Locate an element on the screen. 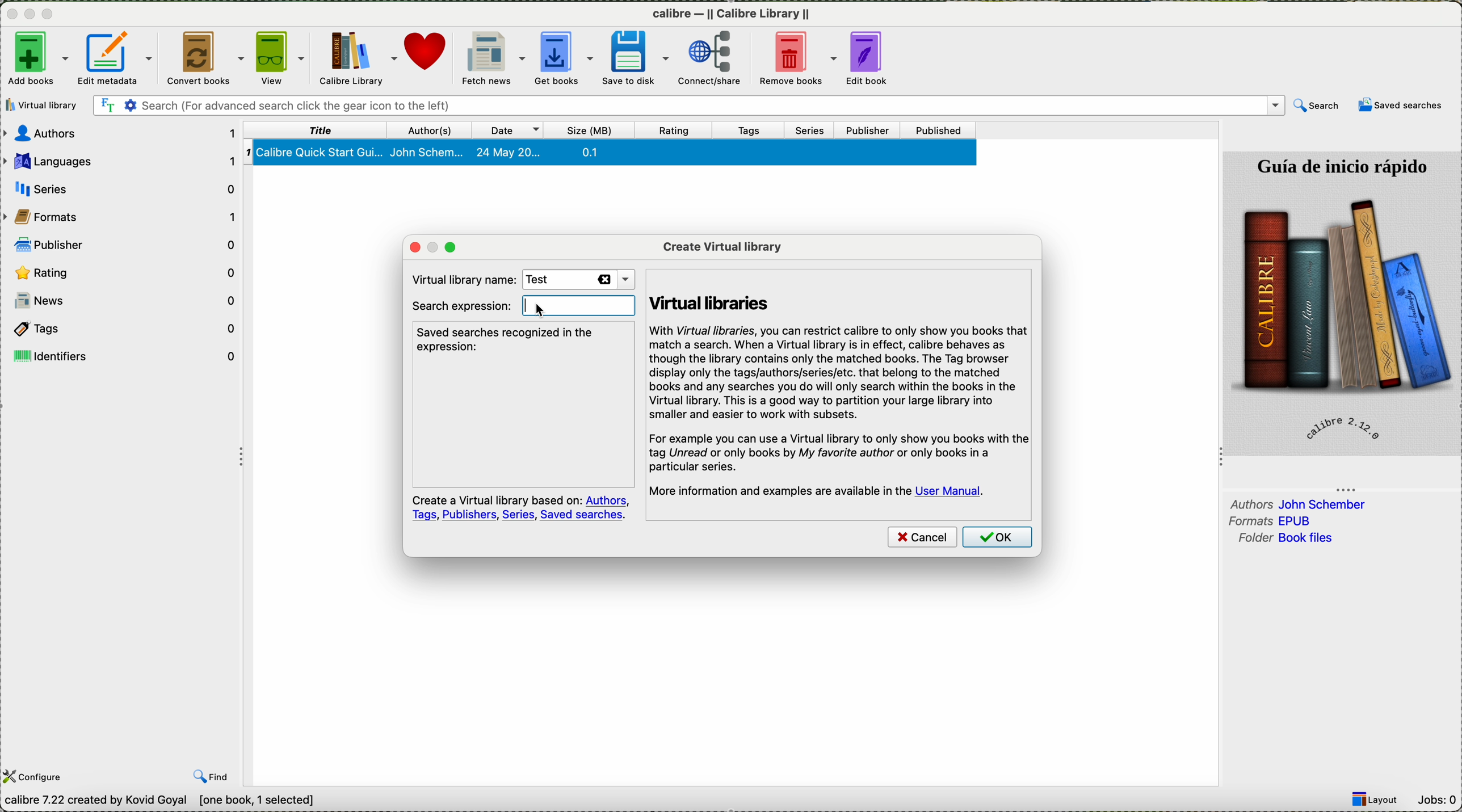 The height and width of the screenshot is (812, 1462). virtual libraries with virtual libraries you can resist Callibre to only show you books that match a search .when a virtual library is in effect ,Callibre behave as  though the library contains only the match books. t tag browser display only tha lags that belong to the match book that you have searched in books in virtual library.this is good way to partition your bigg library into small parts and works in subset.more information and examples are available in user manual. is located at coordinates (841, 387).